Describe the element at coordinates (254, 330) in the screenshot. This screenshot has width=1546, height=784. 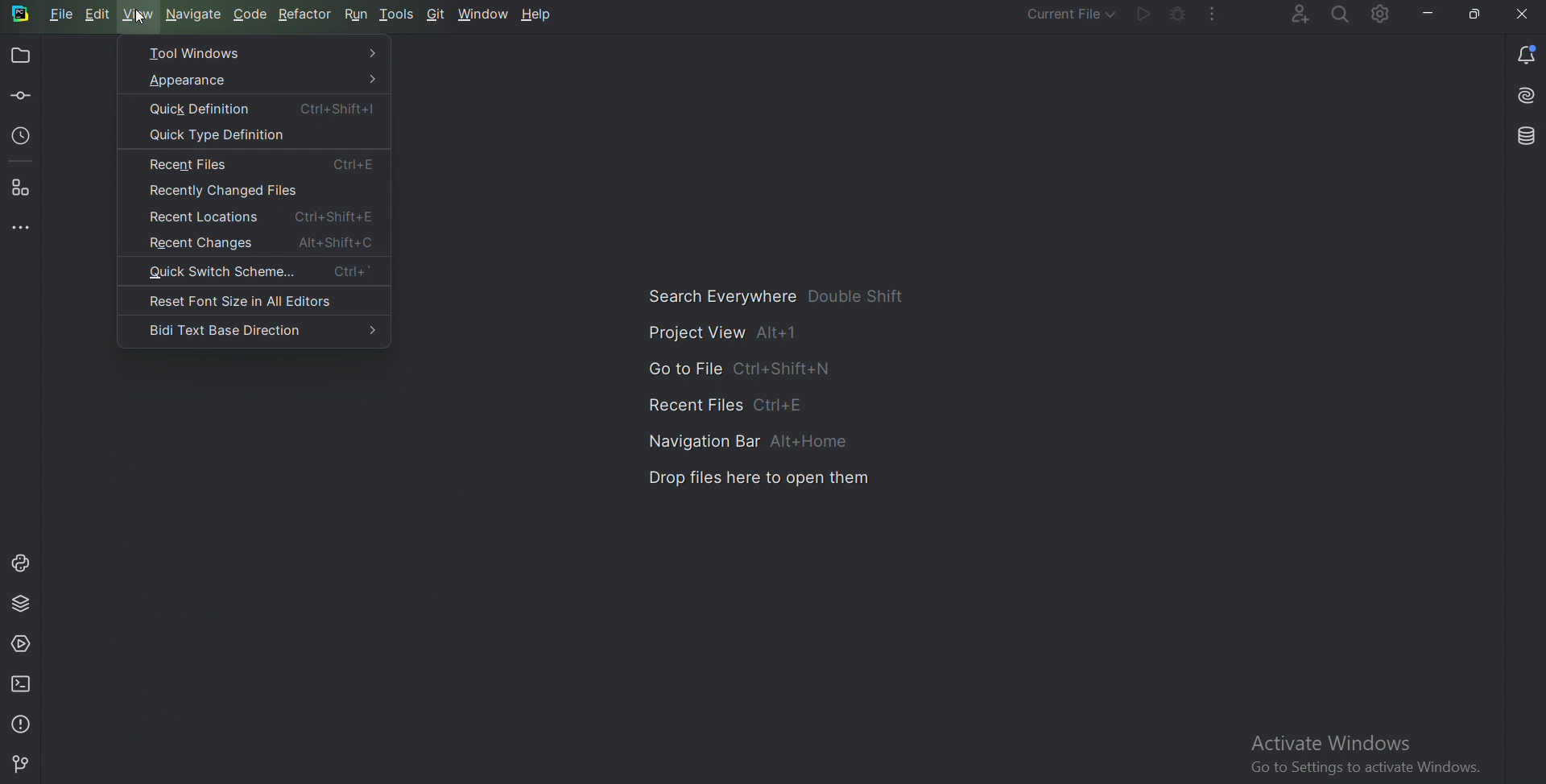
I see `Bidi text base direction` at that location.